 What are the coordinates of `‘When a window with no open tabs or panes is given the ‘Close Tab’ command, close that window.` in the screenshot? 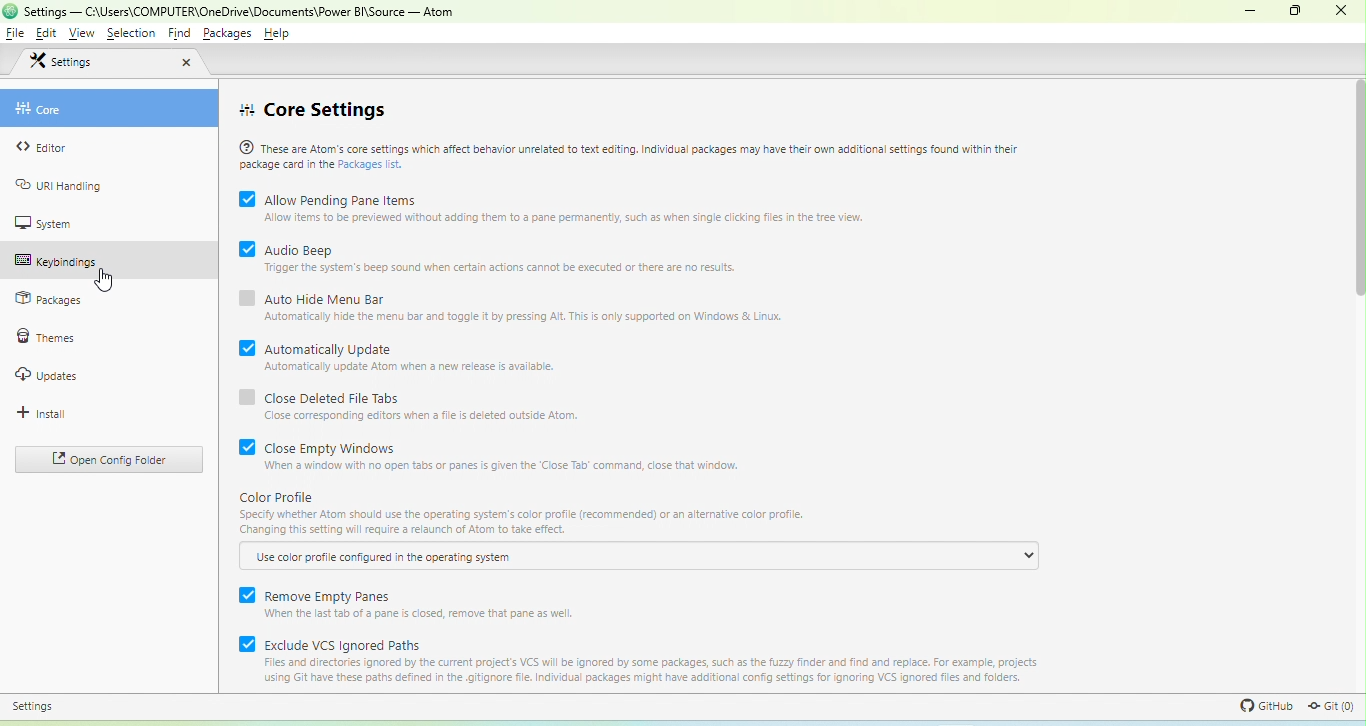 It's located at (501, 467).